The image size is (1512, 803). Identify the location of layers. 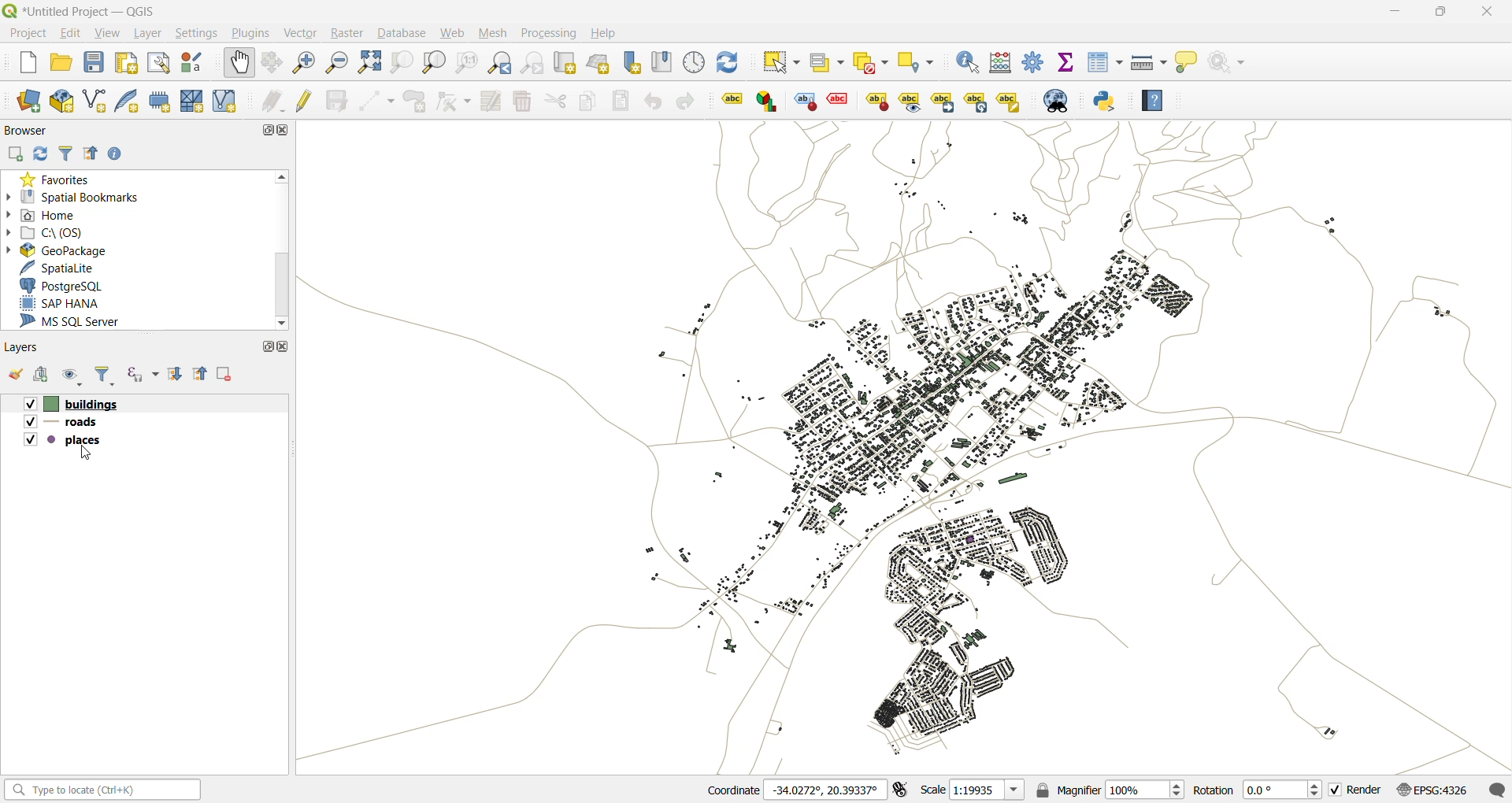
(65, 421).